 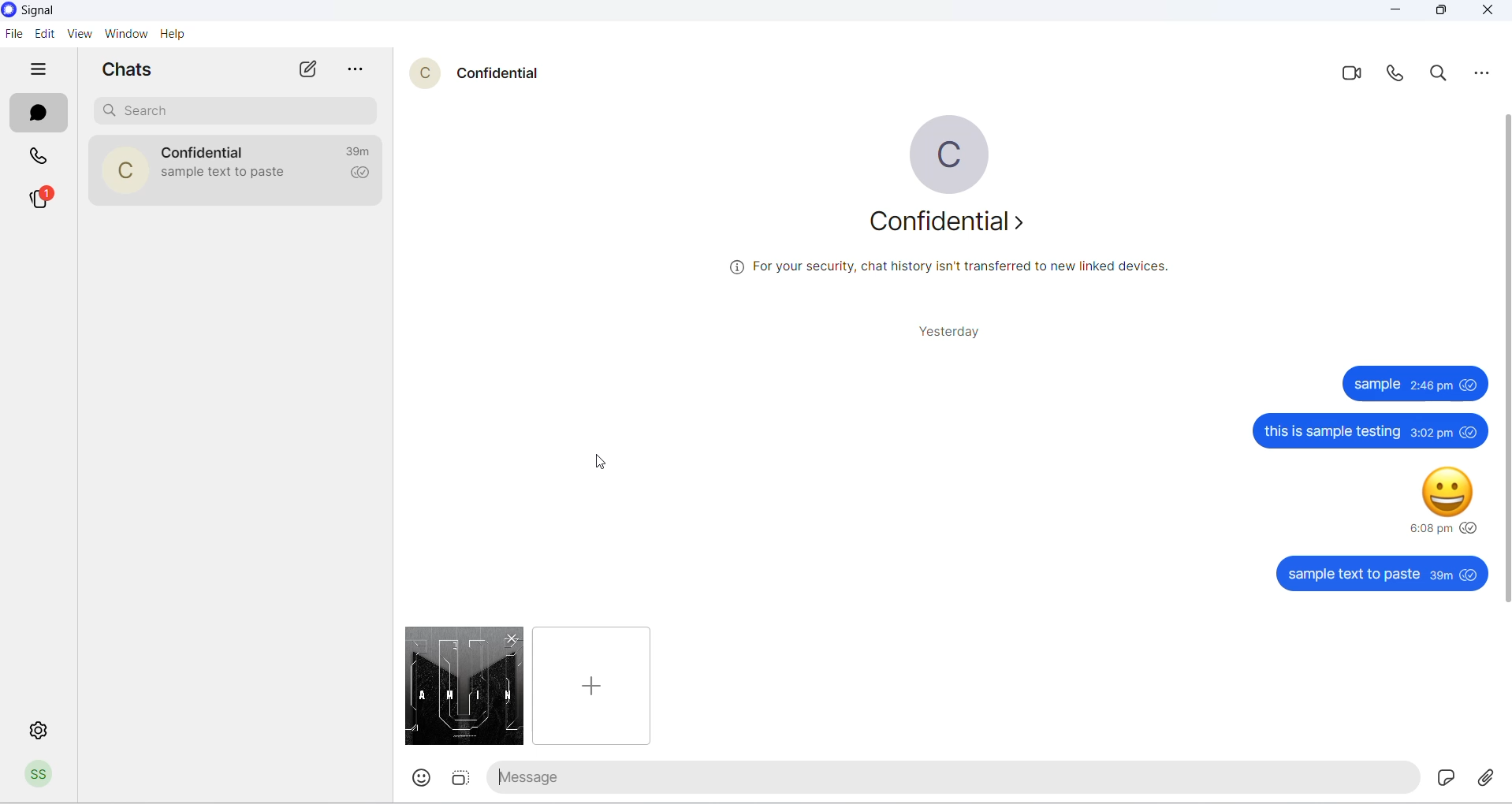 What do you see at coordinates (1439, 15) in the screenshot?
I see `maximize` at bounding box center [1439, 15].